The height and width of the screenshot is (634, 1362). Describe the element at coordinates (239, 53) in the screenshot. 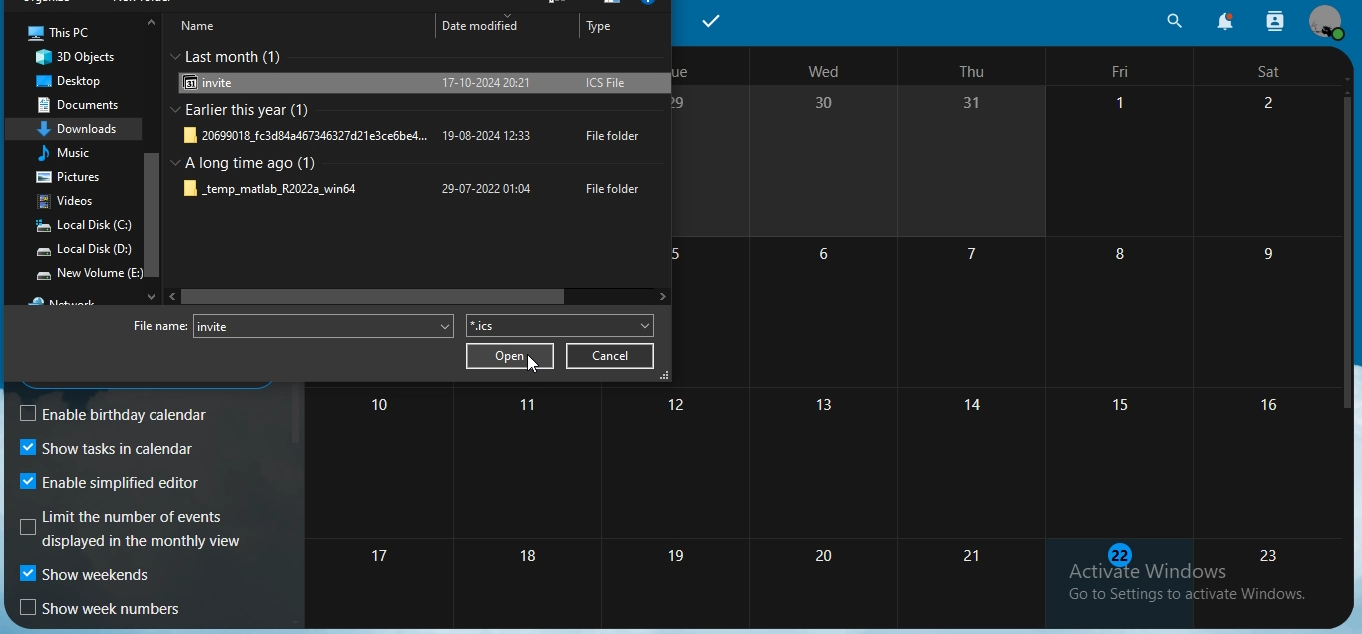

I see `last month` at that location.